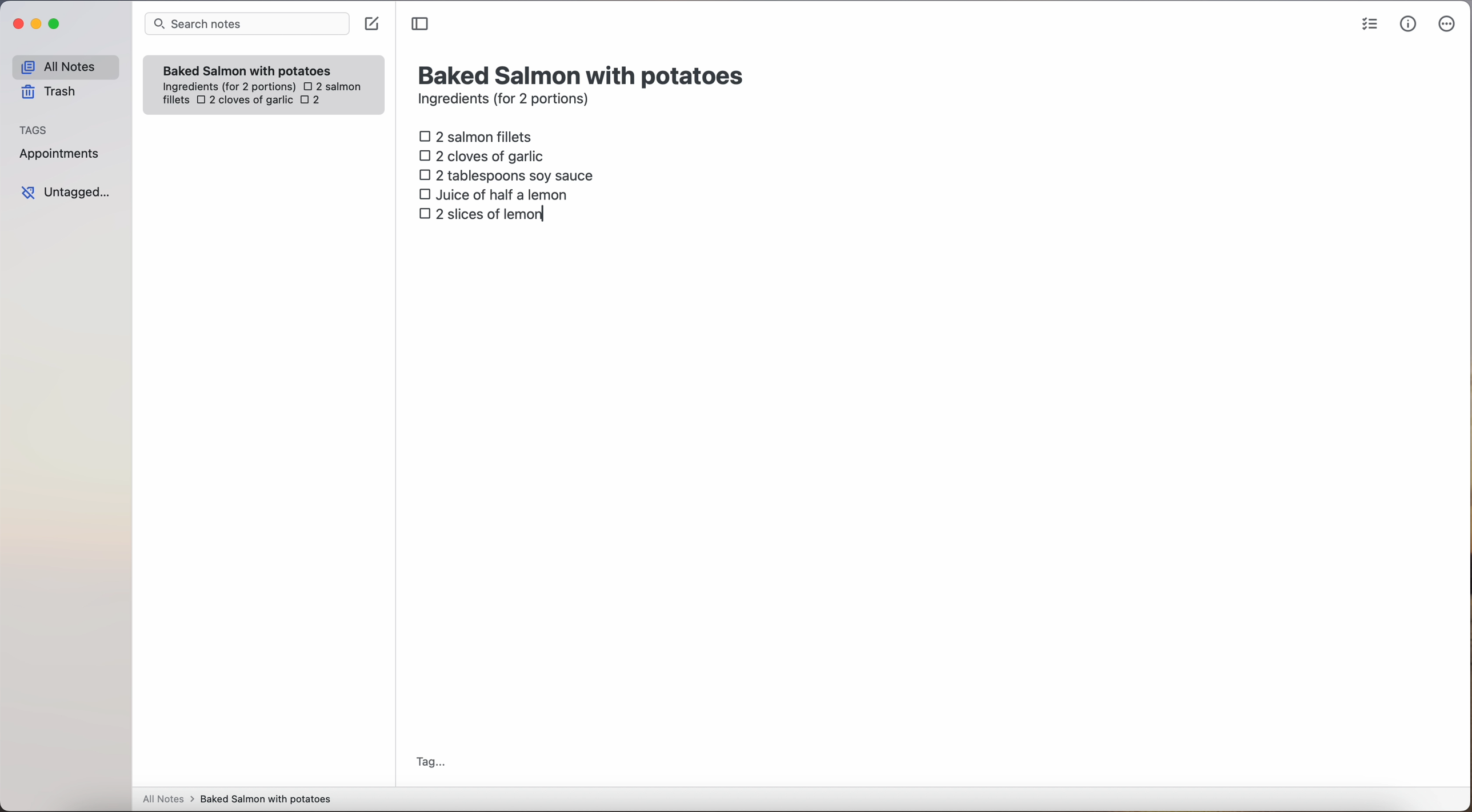  What do you see at coordinates (227, 87) in the screenshot?
I see `ingredientes (for 2 portions)` at bounding box center [227, 87].